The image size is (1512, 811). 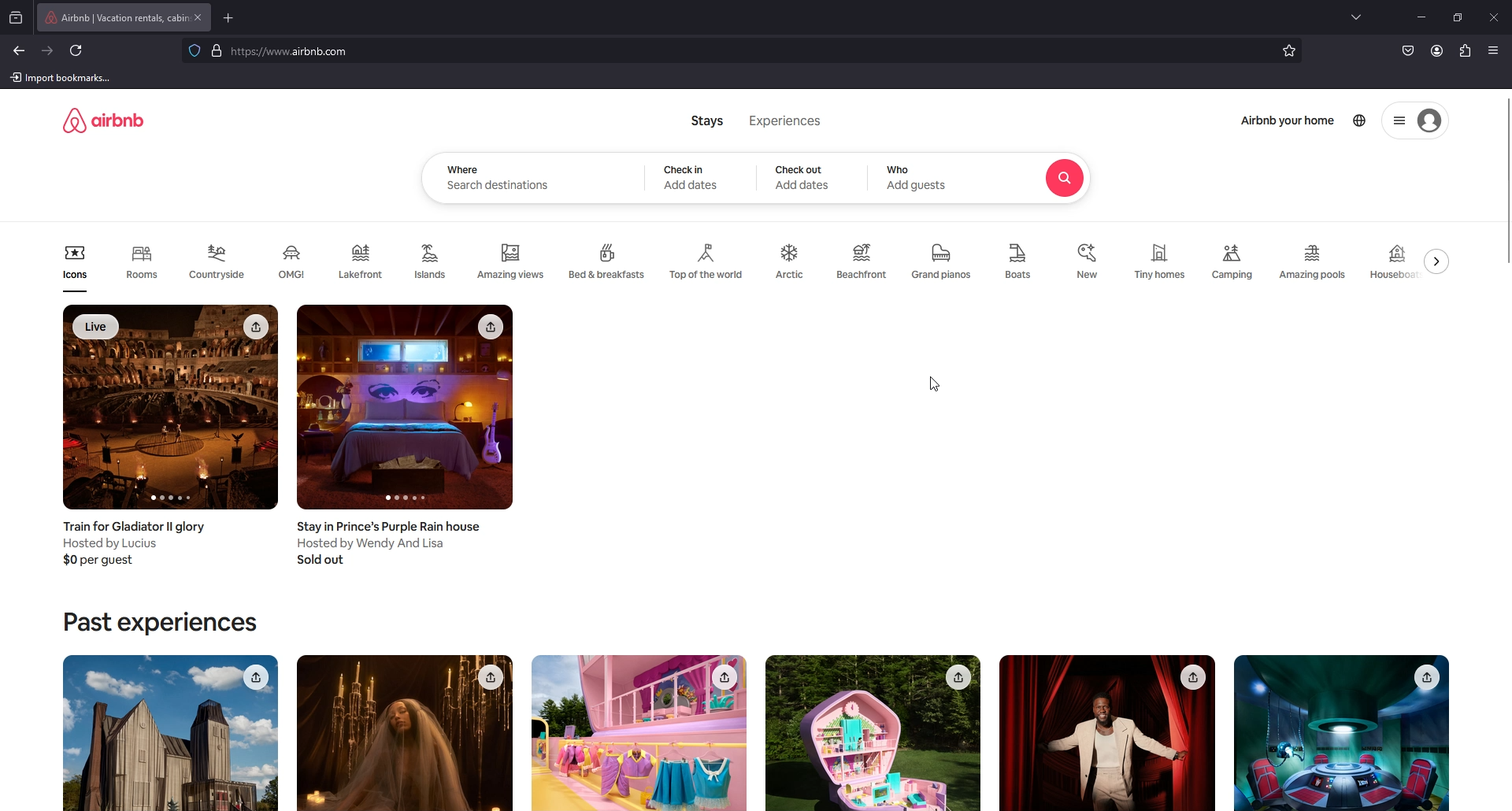 I want to click on Add DAtes, so click(x=693, y=185).